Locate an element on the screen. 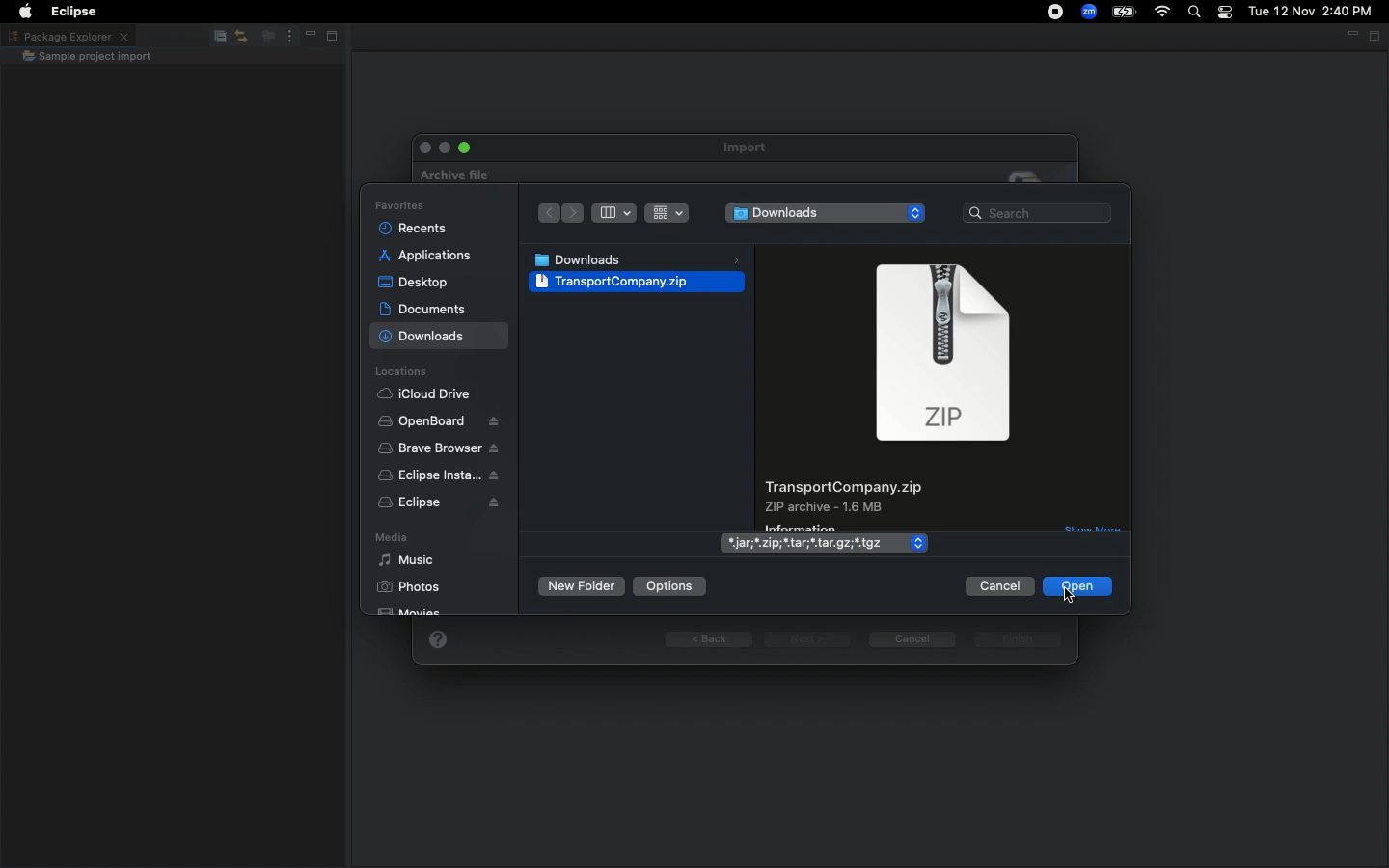 The image size is (1389, 868). Minimize is located at coordinates (305, 38).